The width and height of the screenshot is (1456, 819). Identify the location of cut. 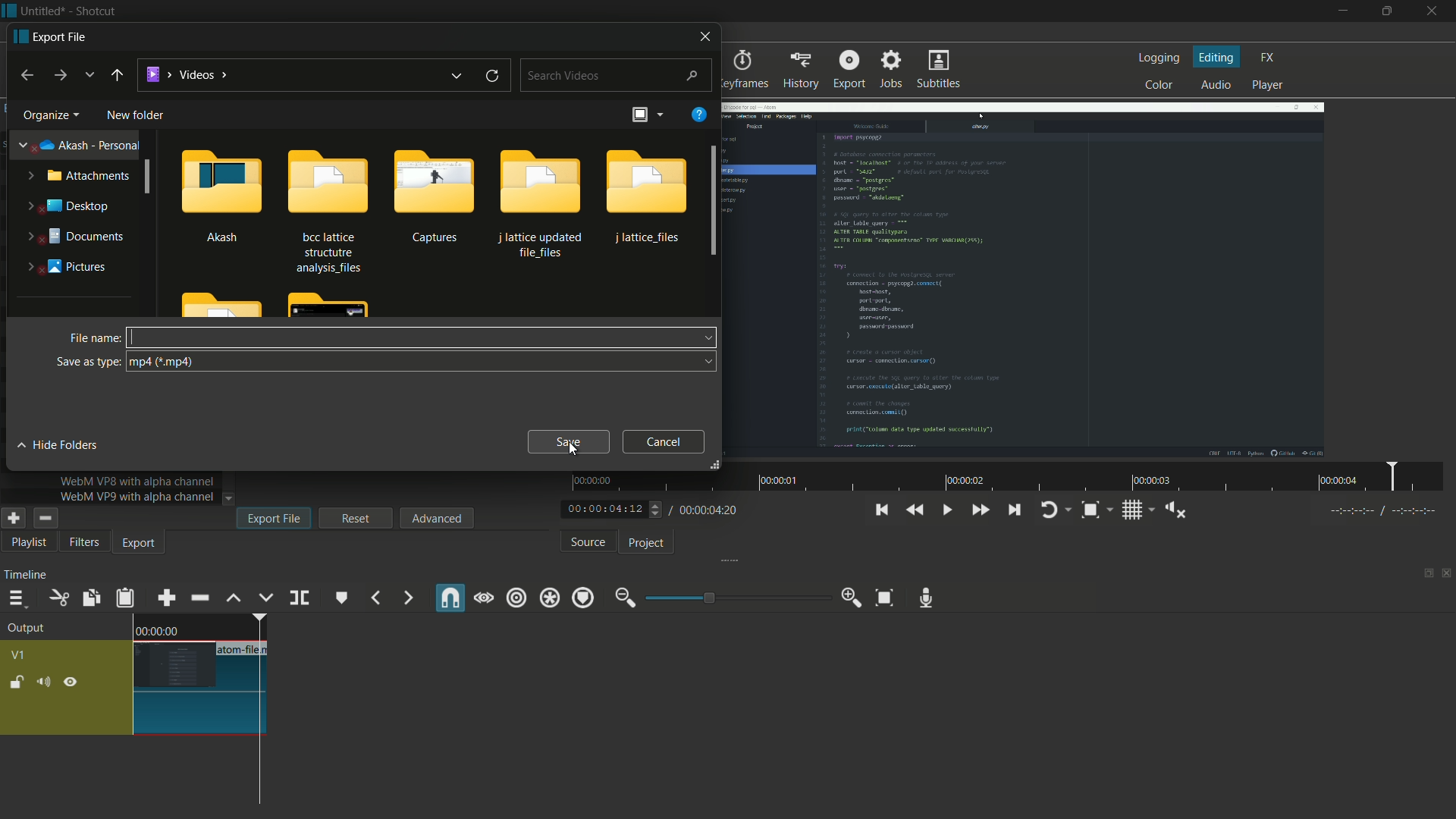
(58, 598).